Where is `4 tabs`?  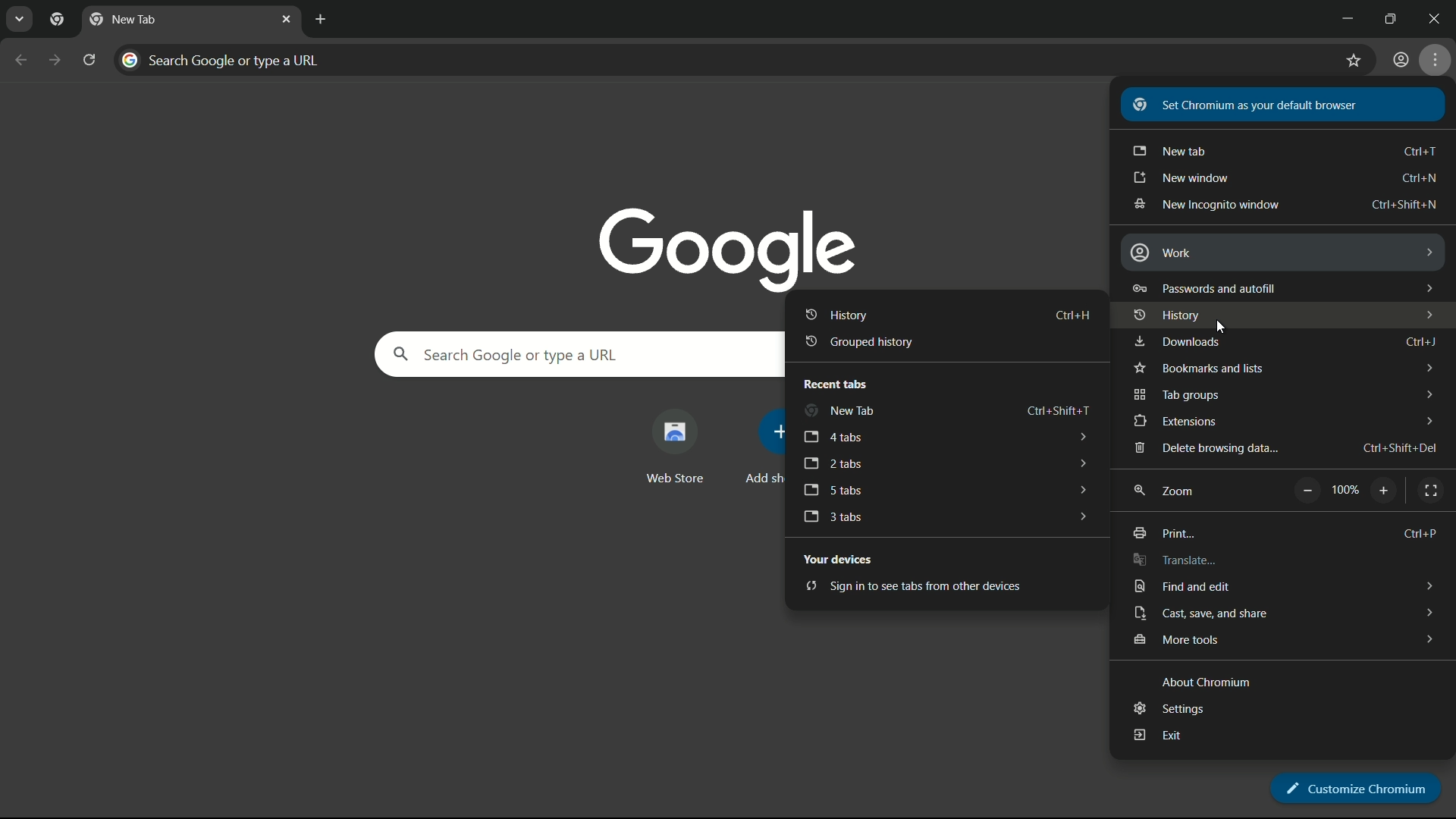 4 tabs is located at coordinates (832, 438).